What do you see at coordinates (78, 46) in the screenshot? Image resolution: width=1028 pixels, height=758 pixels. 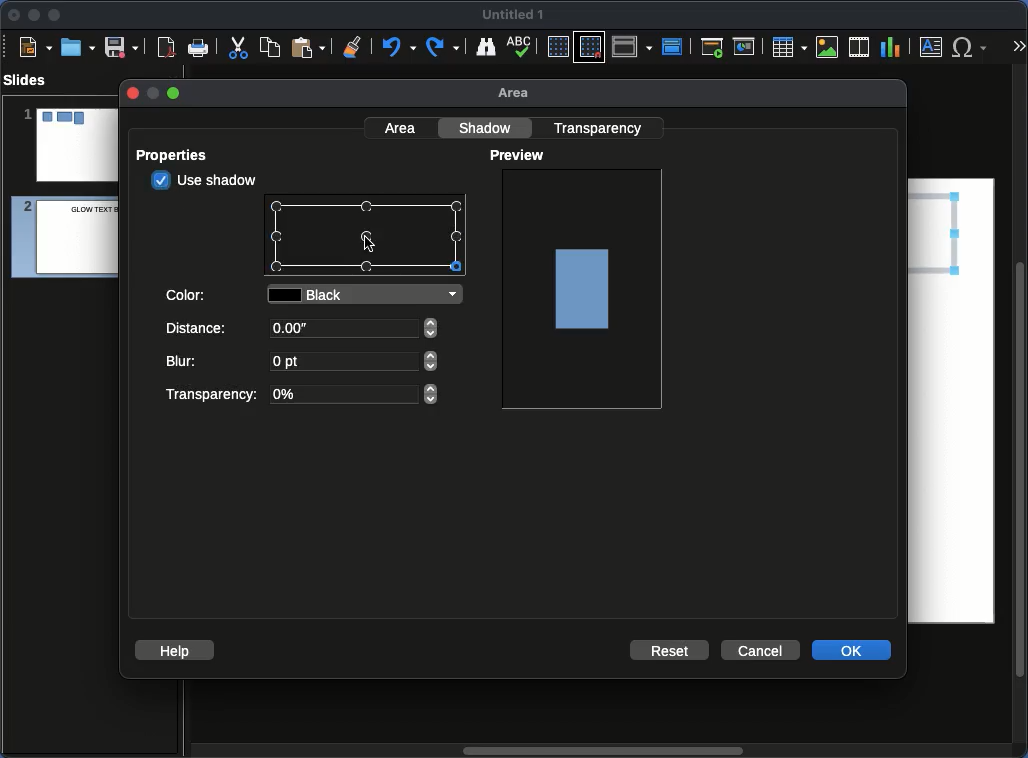 I see `Ope` at bounding box center [78, 46].